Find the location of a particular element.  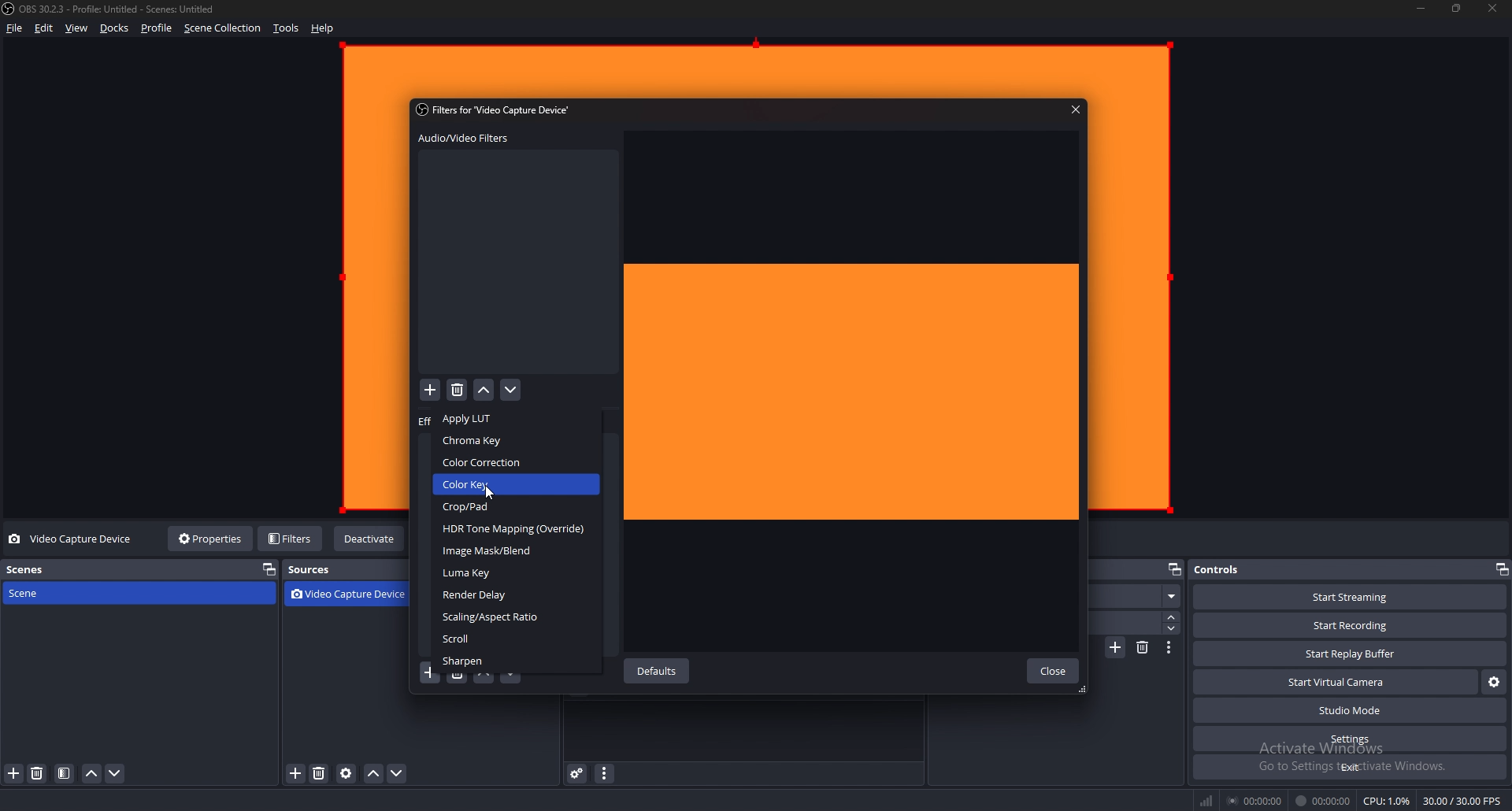

start streaming is located at coordinates (1350, 597).